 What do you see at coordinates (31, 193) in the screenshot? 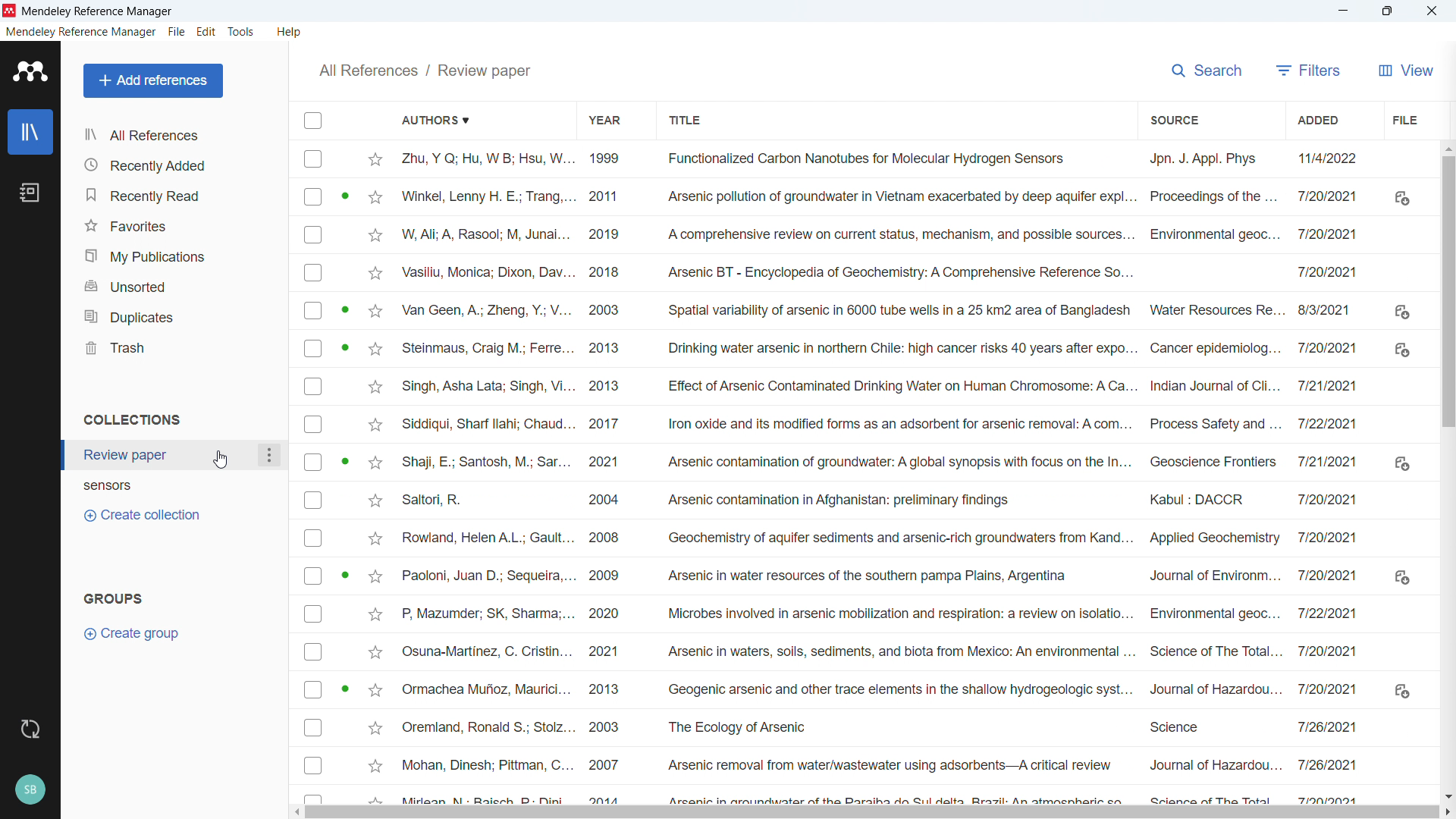
I see `Notebook ` at bounding box center [31, 193].